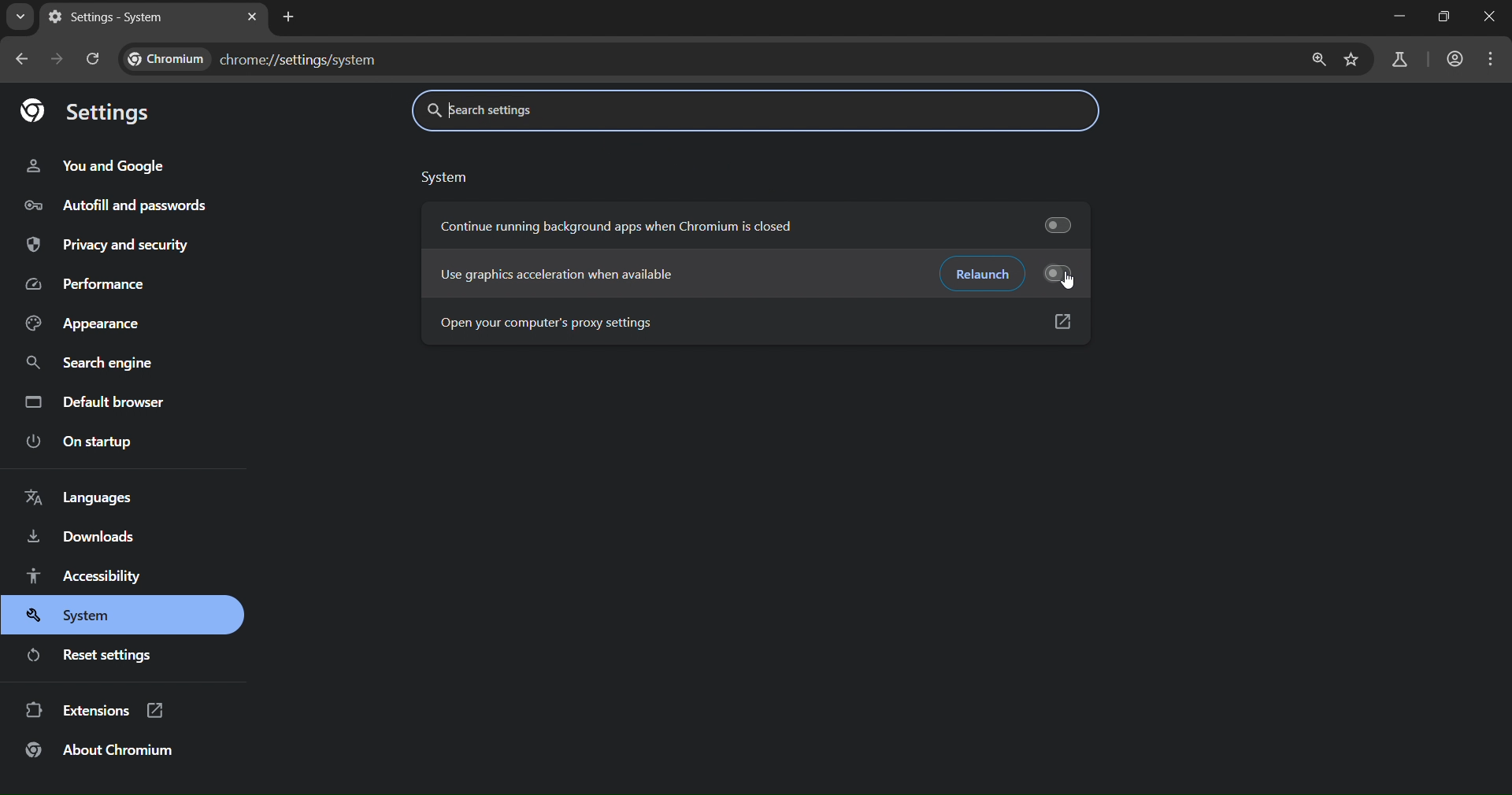 This screenshot has width=1512, height=795. I want to click on go forward one page, so click(58, 58).